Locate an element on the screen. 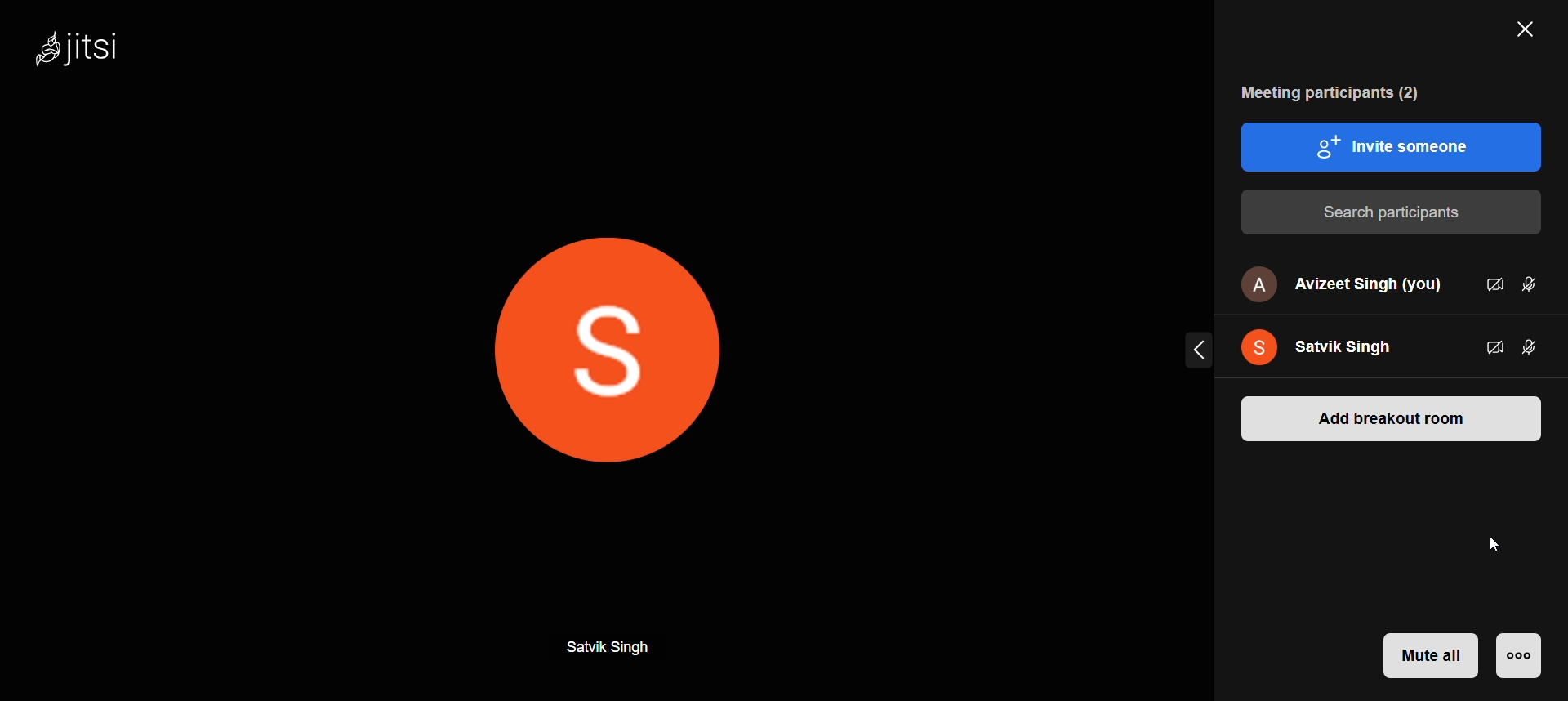 This screenshot has height=701, width=1568. display picture is located at coordinates (626, 351).